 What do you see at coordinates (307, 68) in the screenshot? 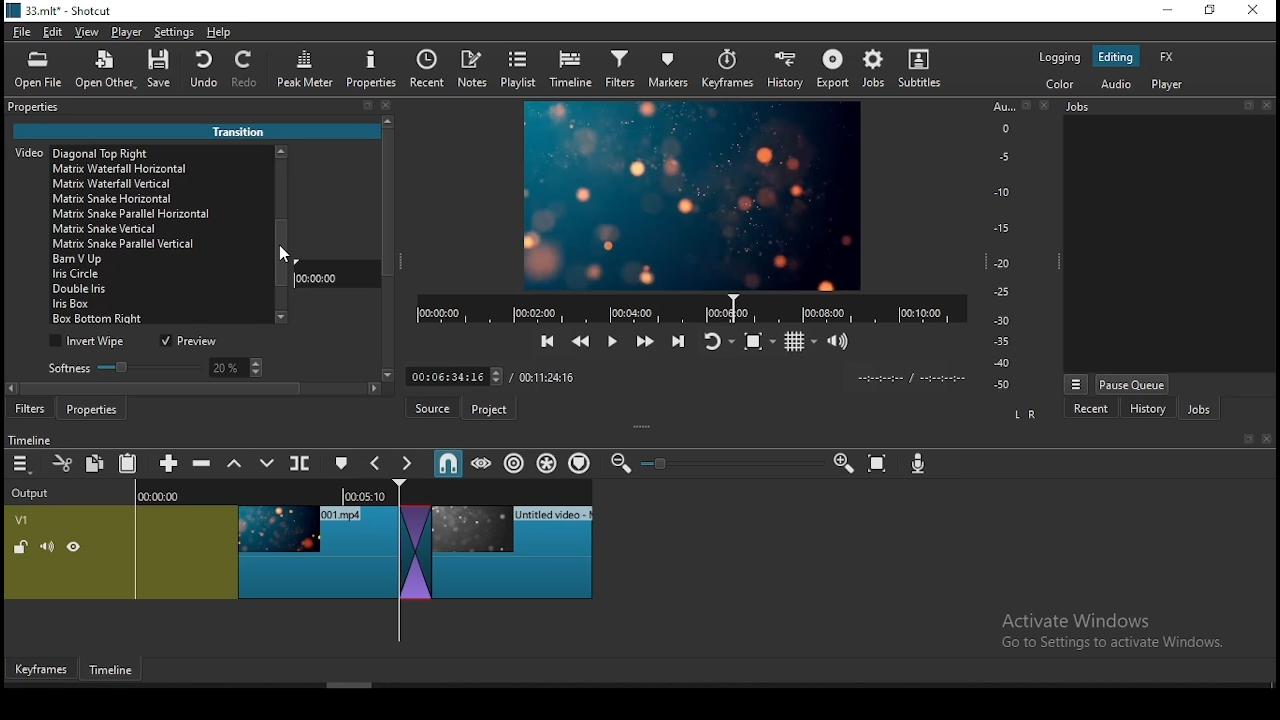
I see `peak meter` at bounding box center [307, 68].